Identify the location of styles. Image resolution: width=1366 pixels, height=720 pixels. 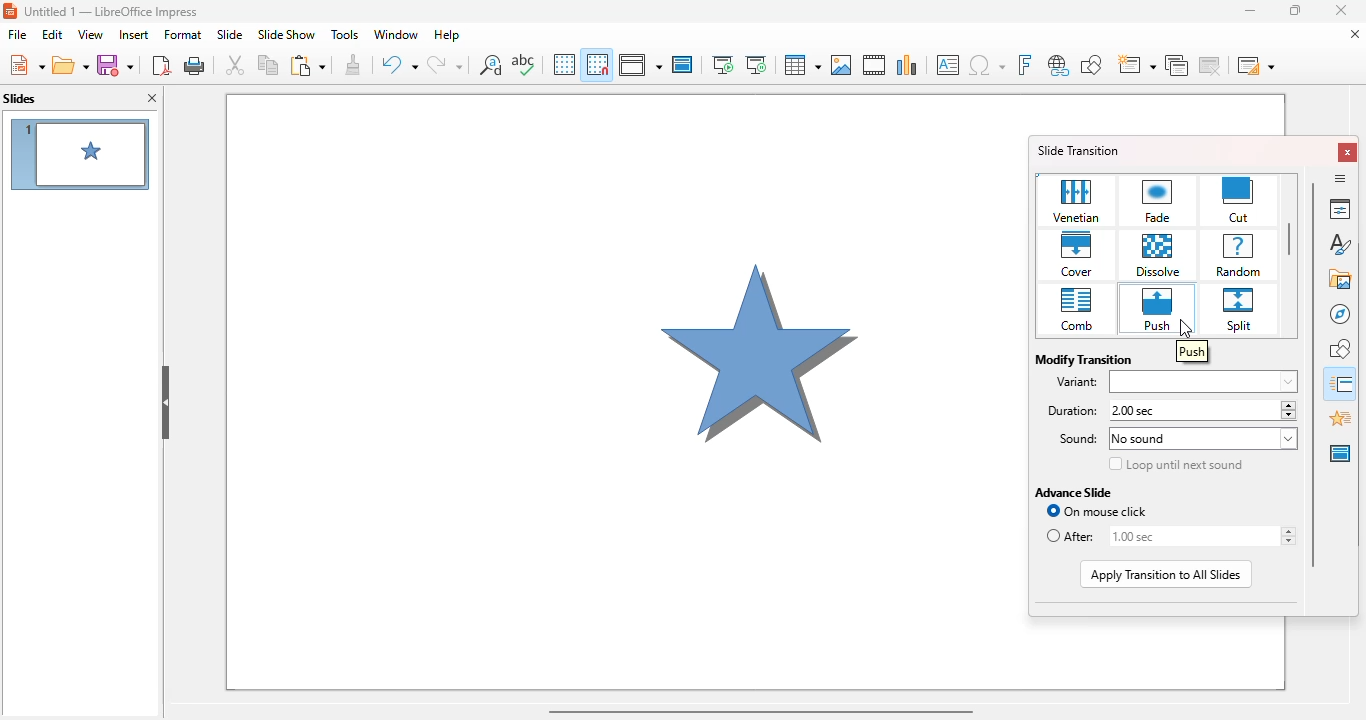
(1341, 242).